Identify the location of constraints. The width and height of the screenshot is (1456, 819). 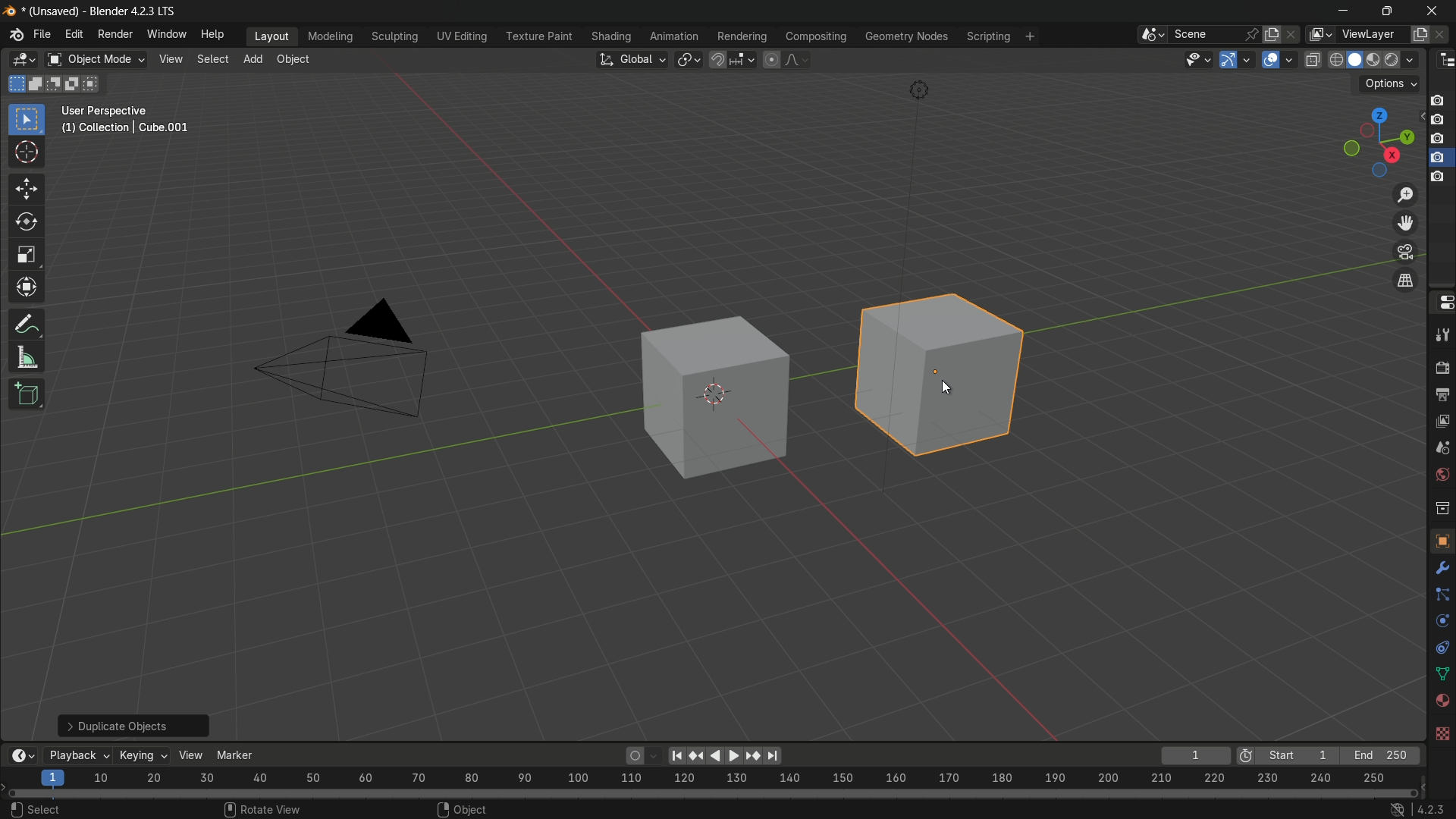
(1442, 648).